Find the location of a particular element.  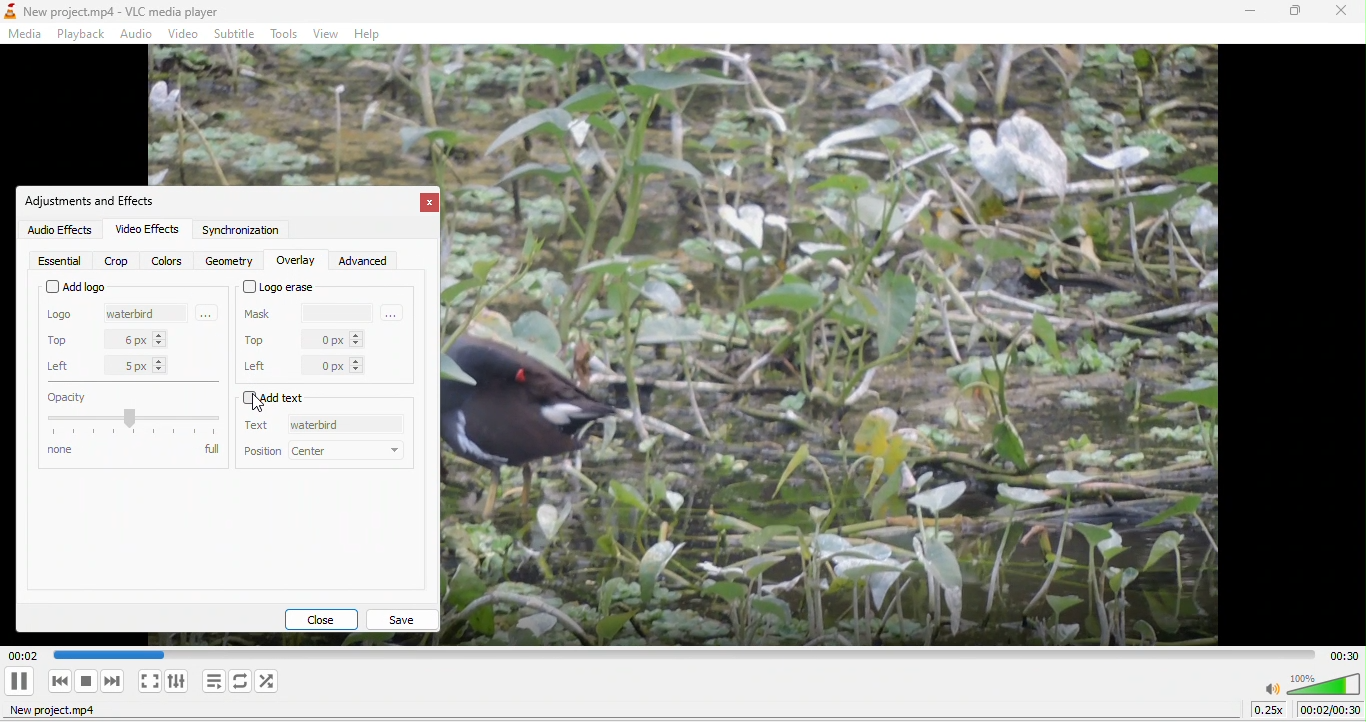

click to toggle between loop all is located at coordinates (241, 682).